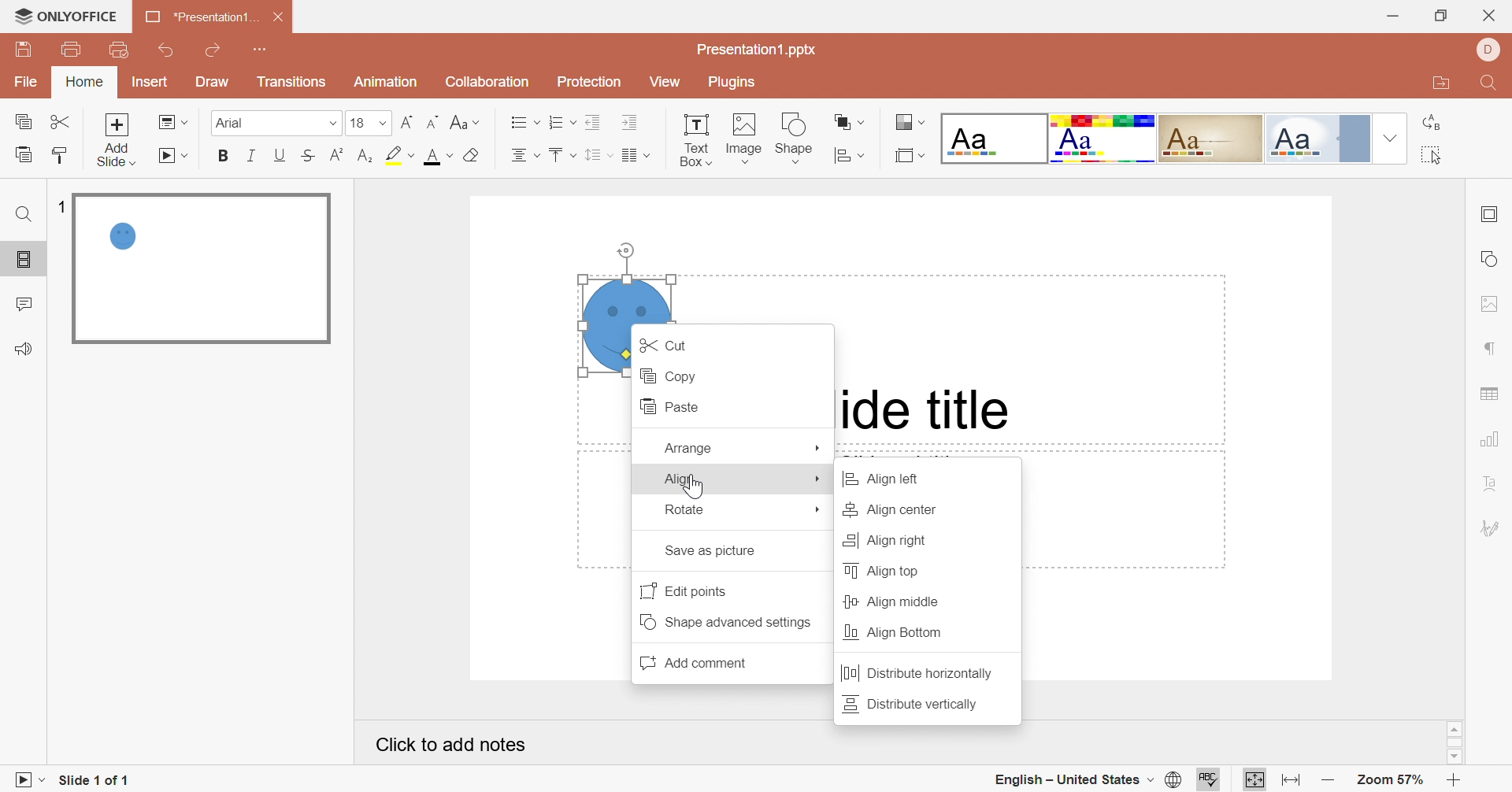  I want to click on Print, so click(70, 48).